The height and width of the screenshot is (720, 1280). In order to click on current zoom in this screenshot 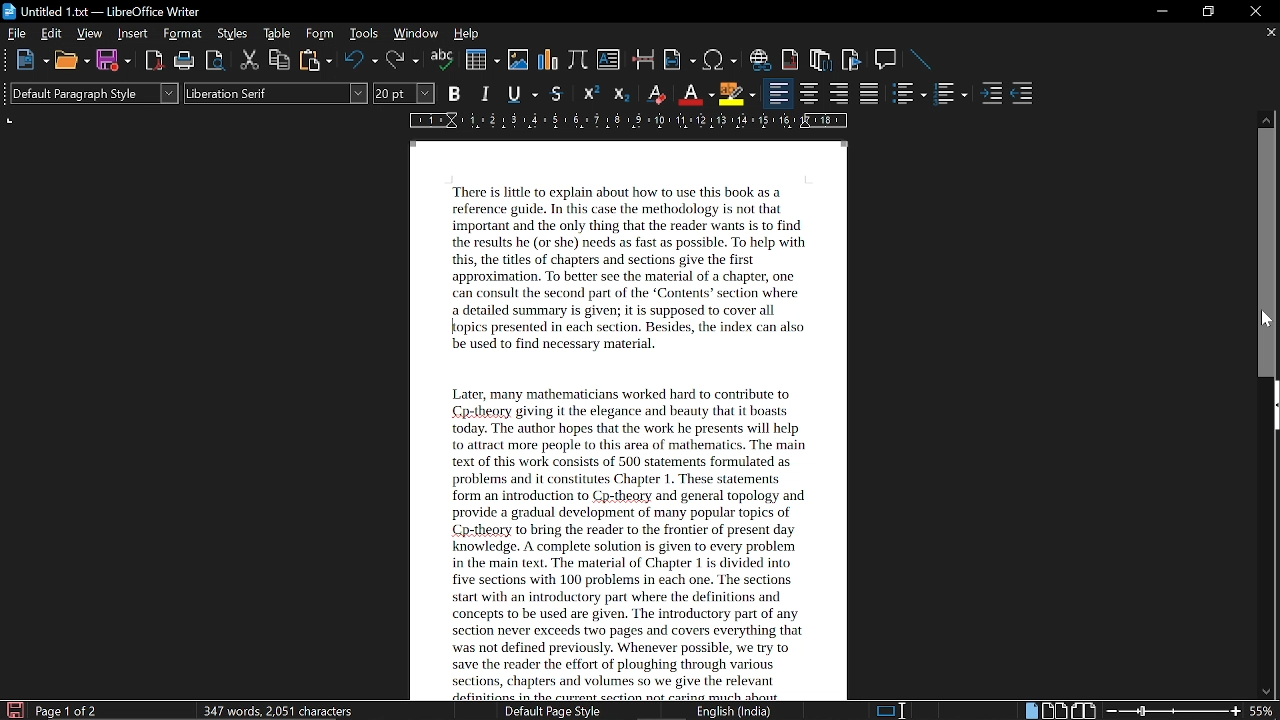, I will do `click(1265, 712)`.